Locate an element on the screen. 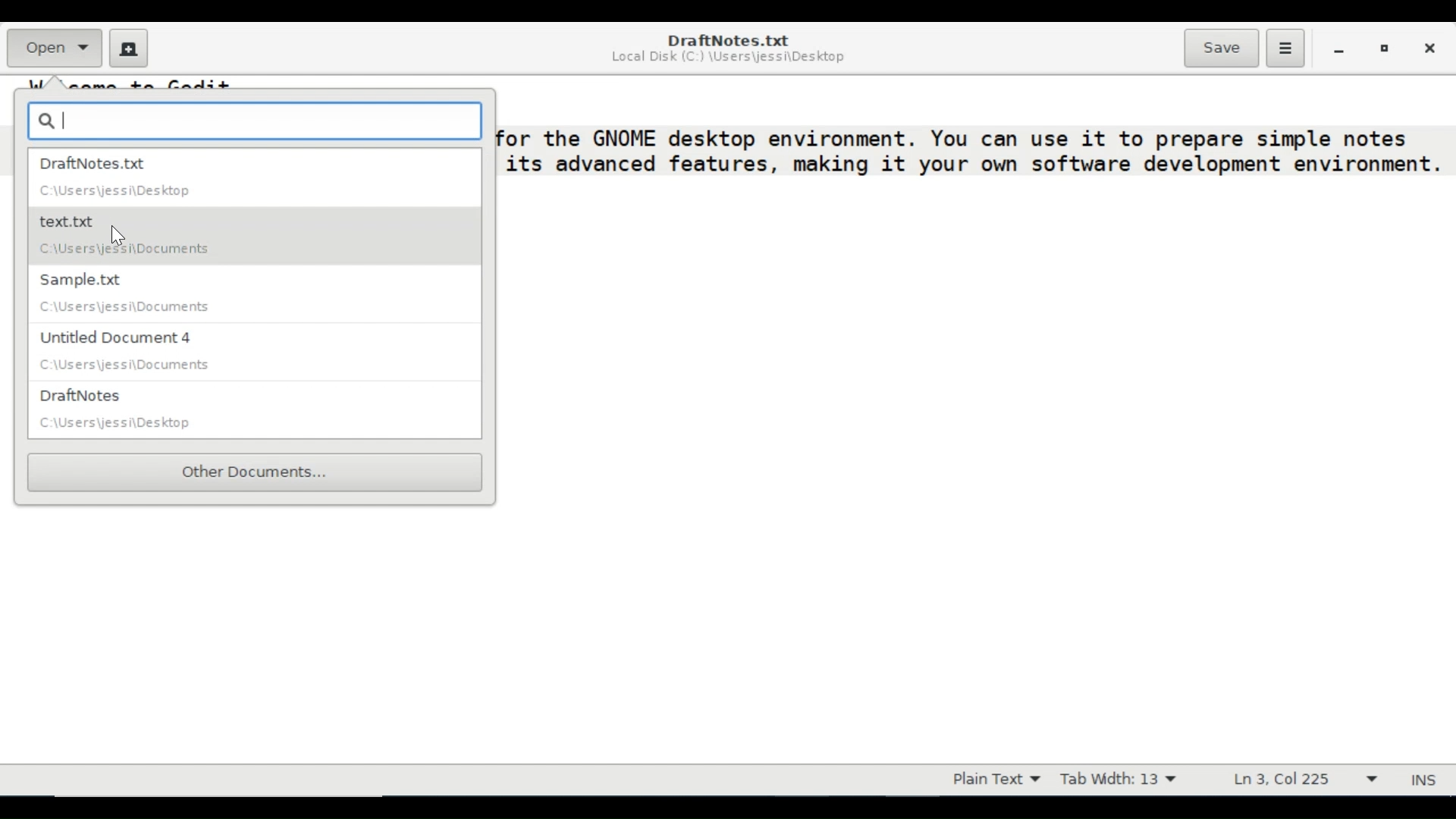  Save is located at coordinates (1221, 48).